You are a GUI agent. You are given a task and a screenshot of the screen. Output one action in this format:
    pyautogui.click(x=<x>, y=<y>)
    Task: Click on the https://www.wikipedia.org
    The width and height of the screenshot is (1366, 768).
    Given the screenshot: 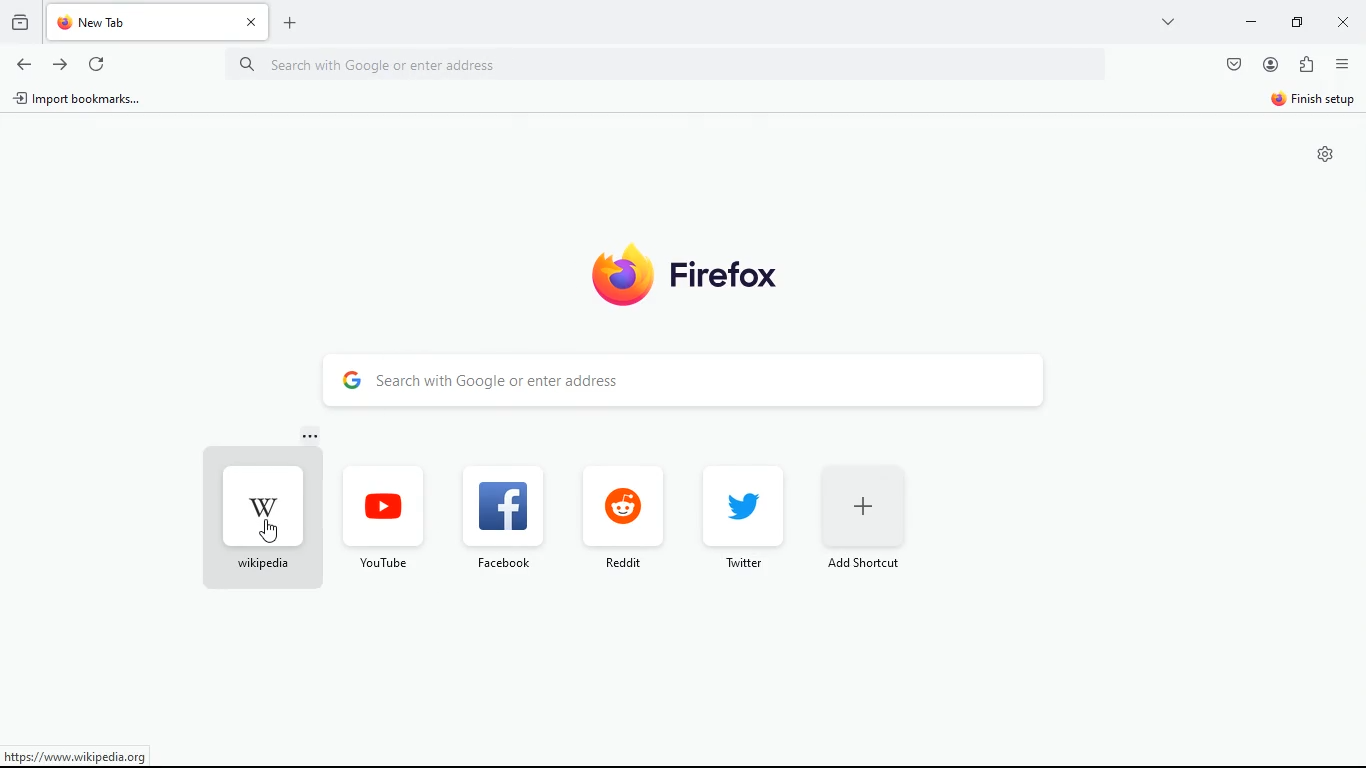 What is the action you would take?
    pyautogui.click(x=83, y=754)
    